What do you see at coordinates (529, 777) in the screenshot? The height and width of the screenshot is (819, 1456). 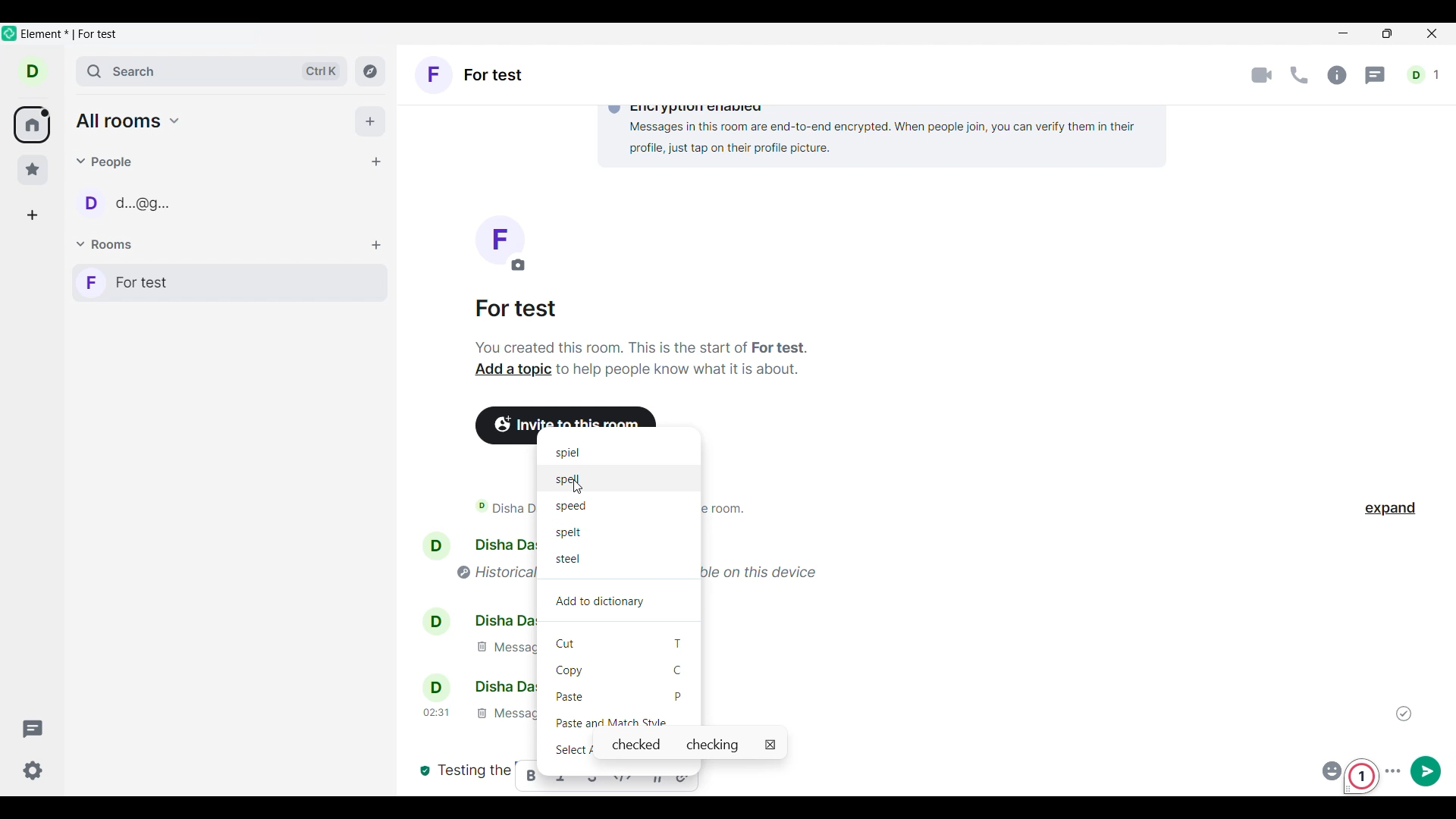 I see `bold` at bounding box center [529, 777].